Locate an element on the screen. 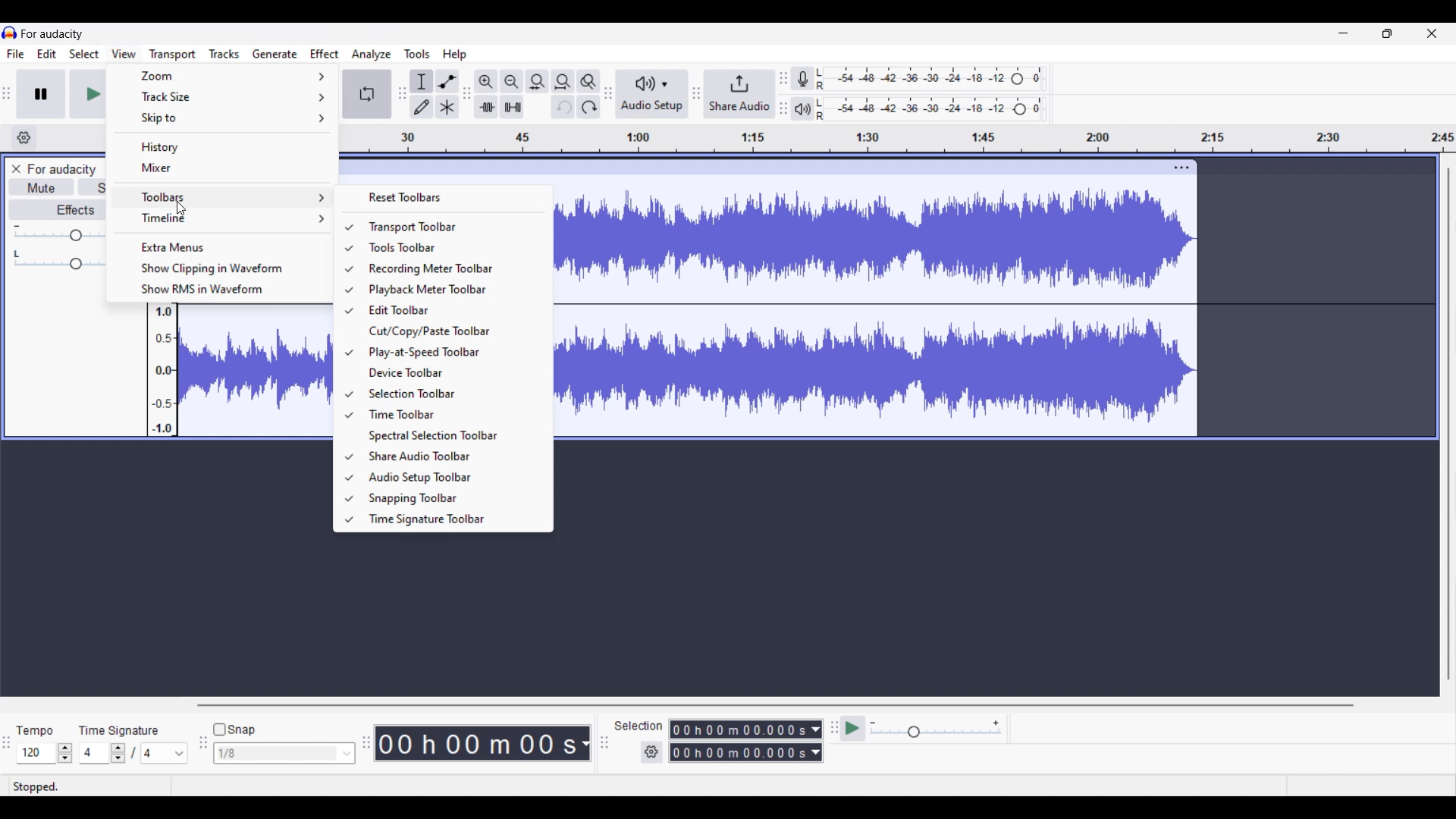  Play at speed toolbar is located at coordinates (452, 353).